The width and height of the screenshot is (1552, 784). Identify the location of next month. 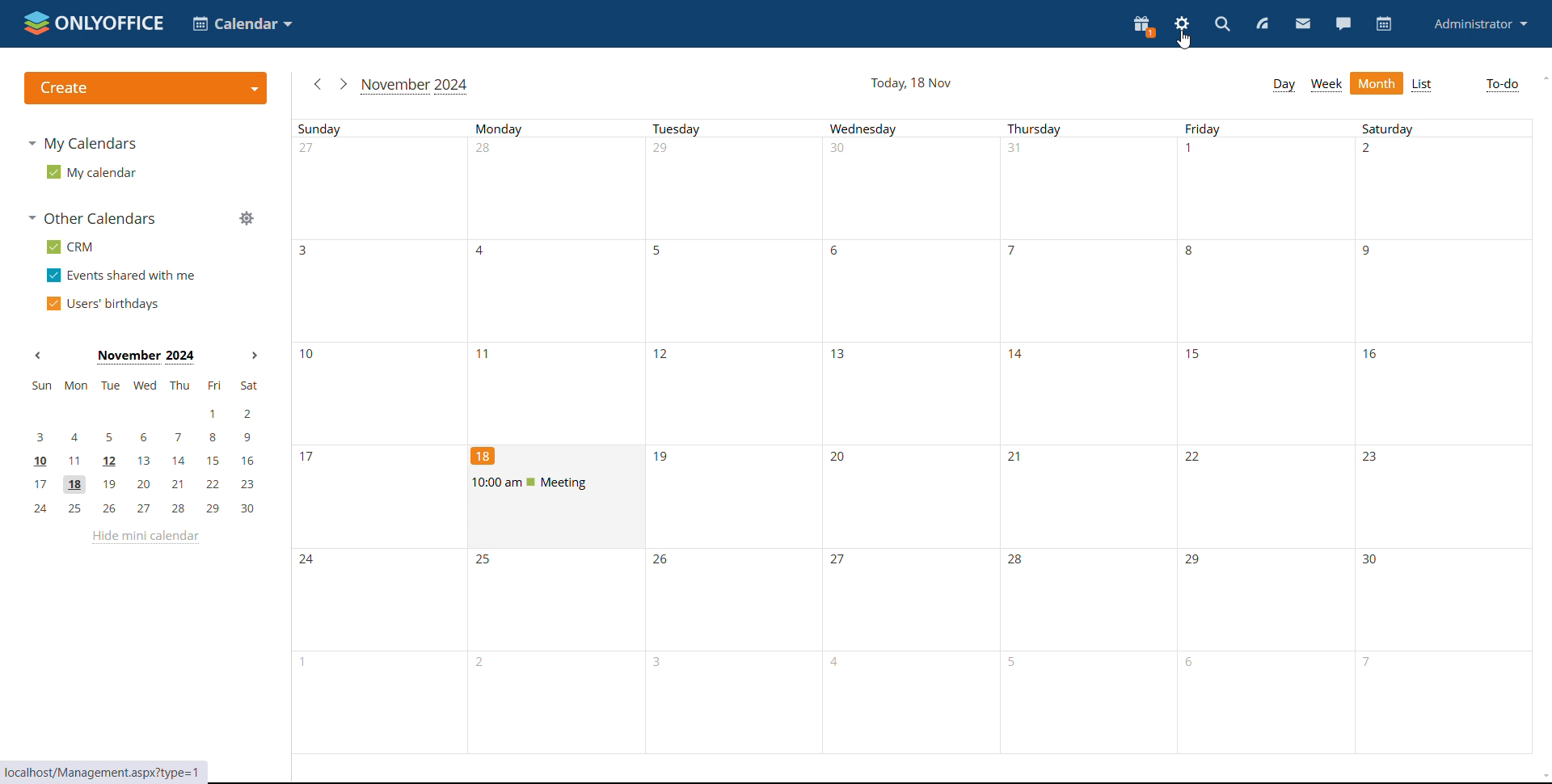
(342, 84).